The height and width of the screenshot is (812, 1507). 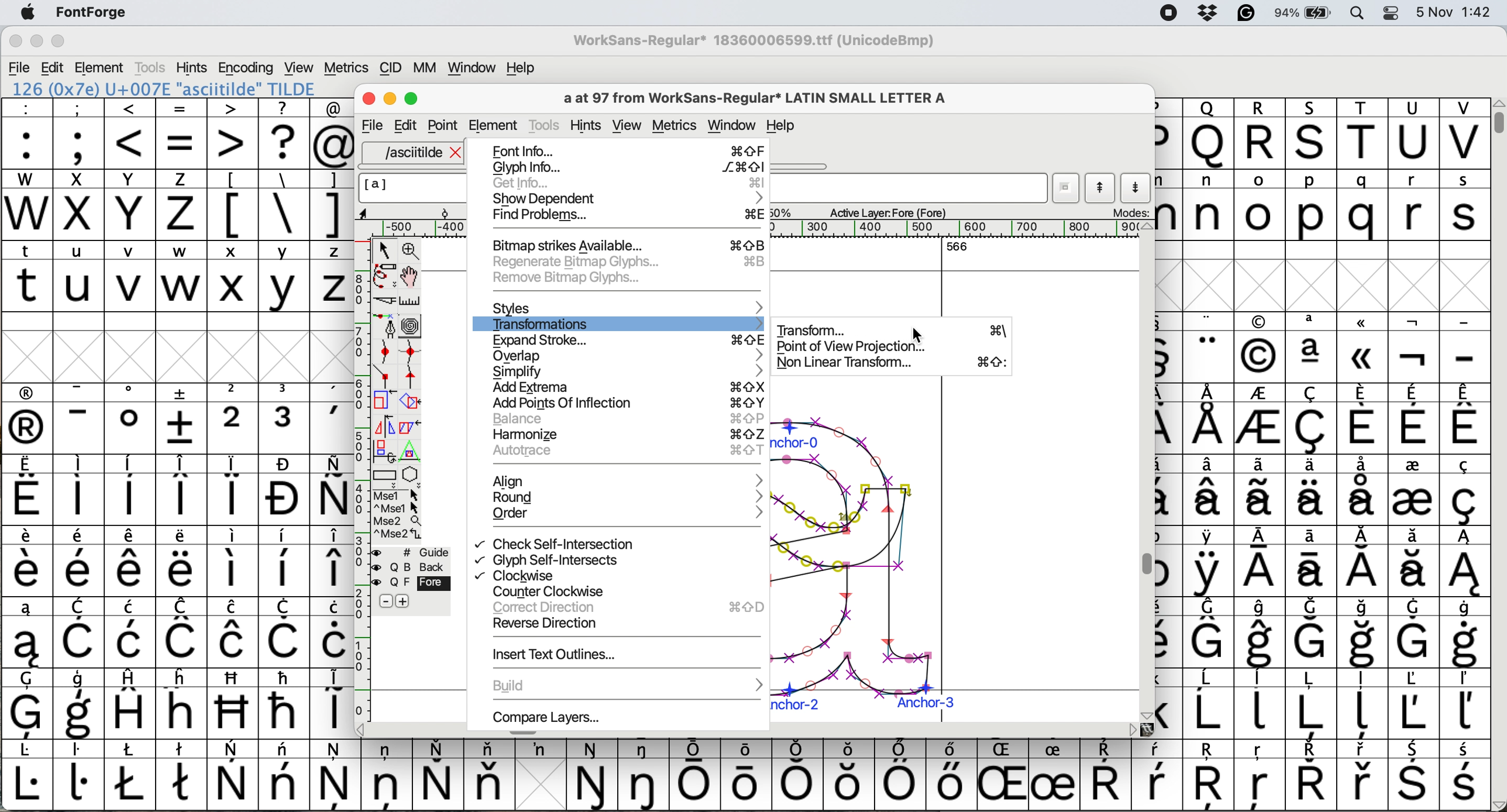 What do you see at coordinates (1464, 633) in the screenshot?
I see `symbol` at bounding box center [1464, 633].